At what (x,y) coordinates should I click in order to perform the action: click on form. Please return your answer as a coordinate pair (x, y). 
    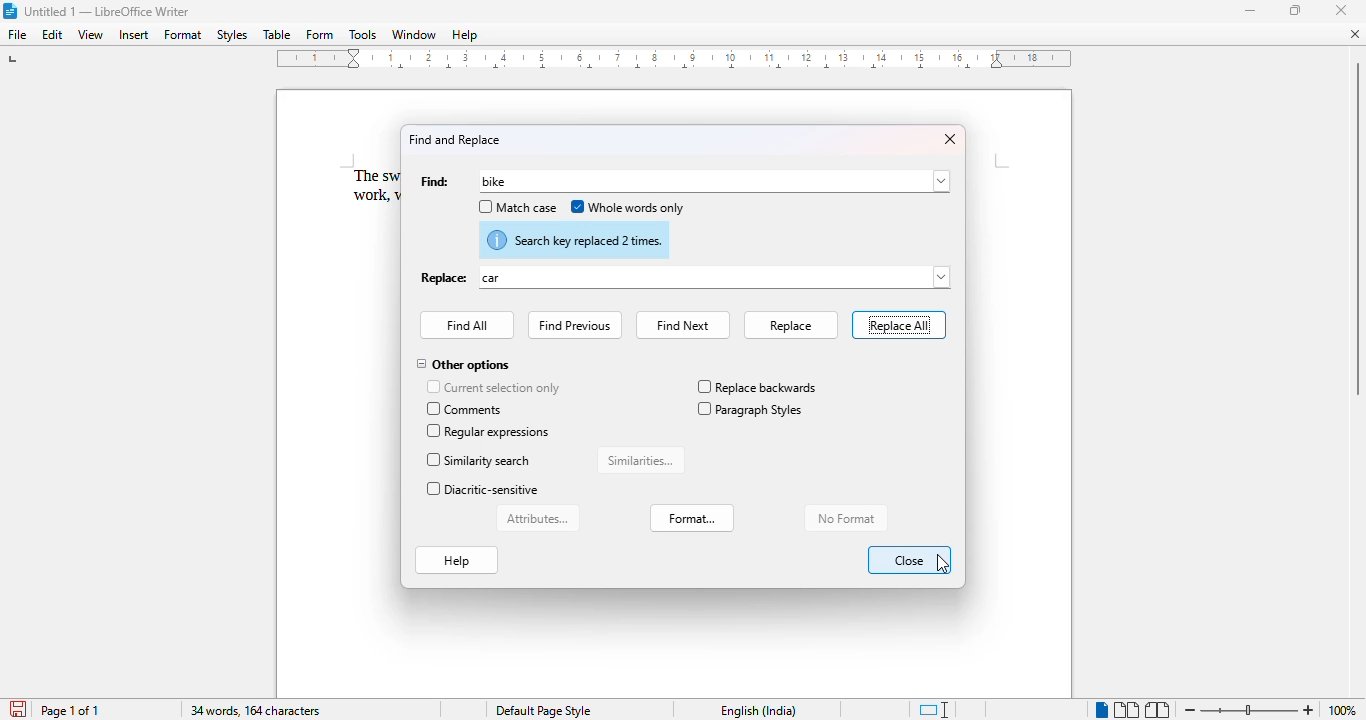
    Looking at the image, I should click on (320, 35).